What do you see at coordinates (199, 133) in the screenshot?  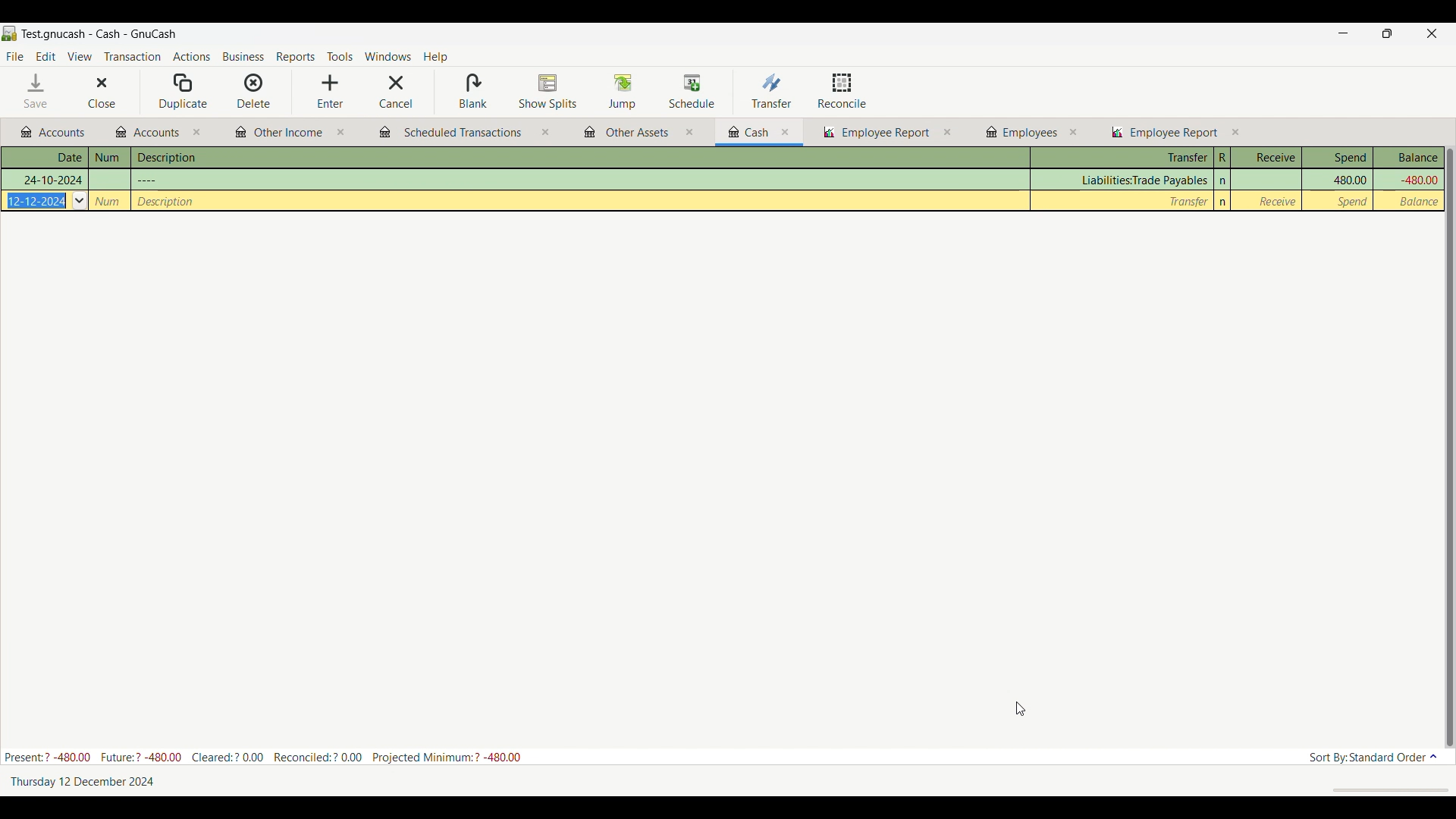 I see `close` at bounding box center [199, 133].